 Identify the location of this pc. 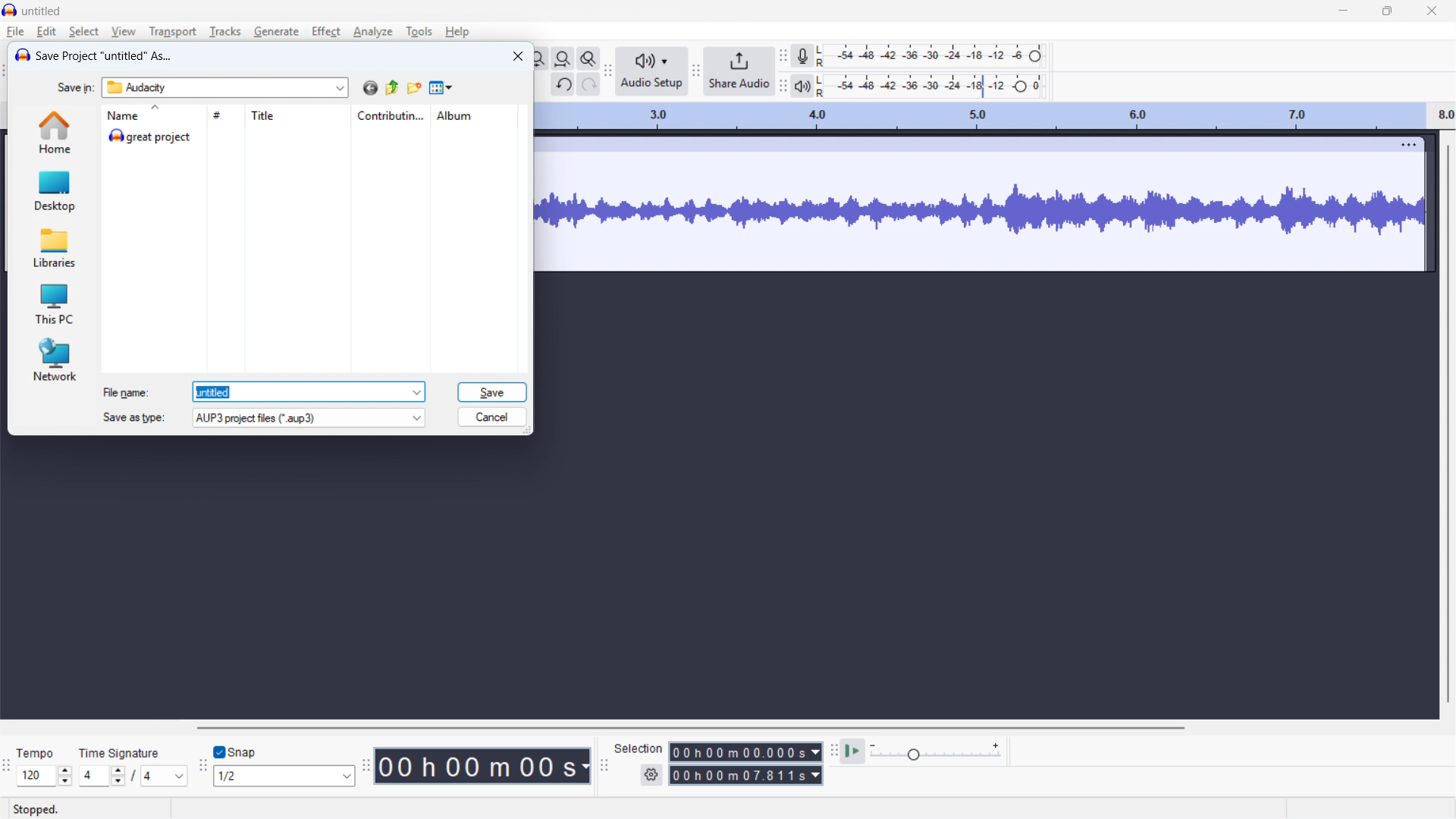
(55, 303).